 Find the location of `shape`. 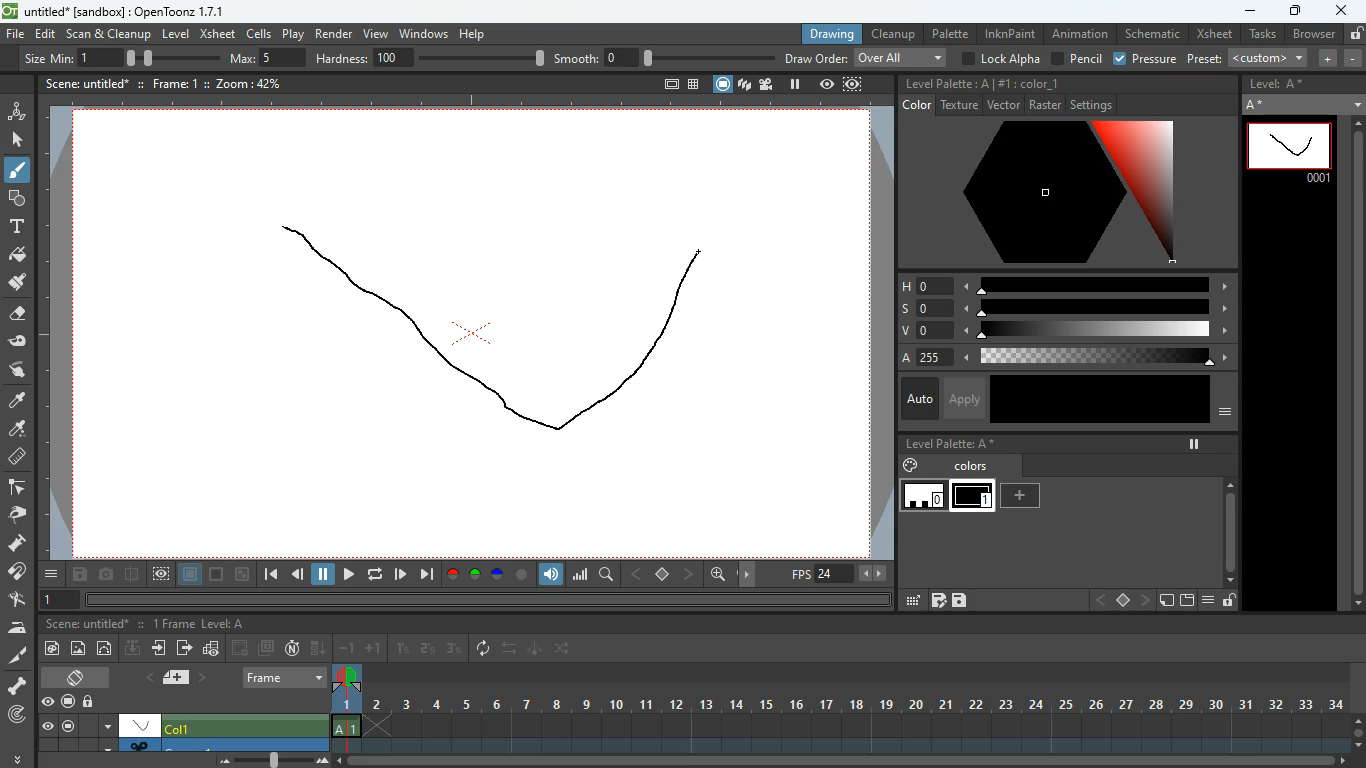

shape is located at coordinates (13, 197).